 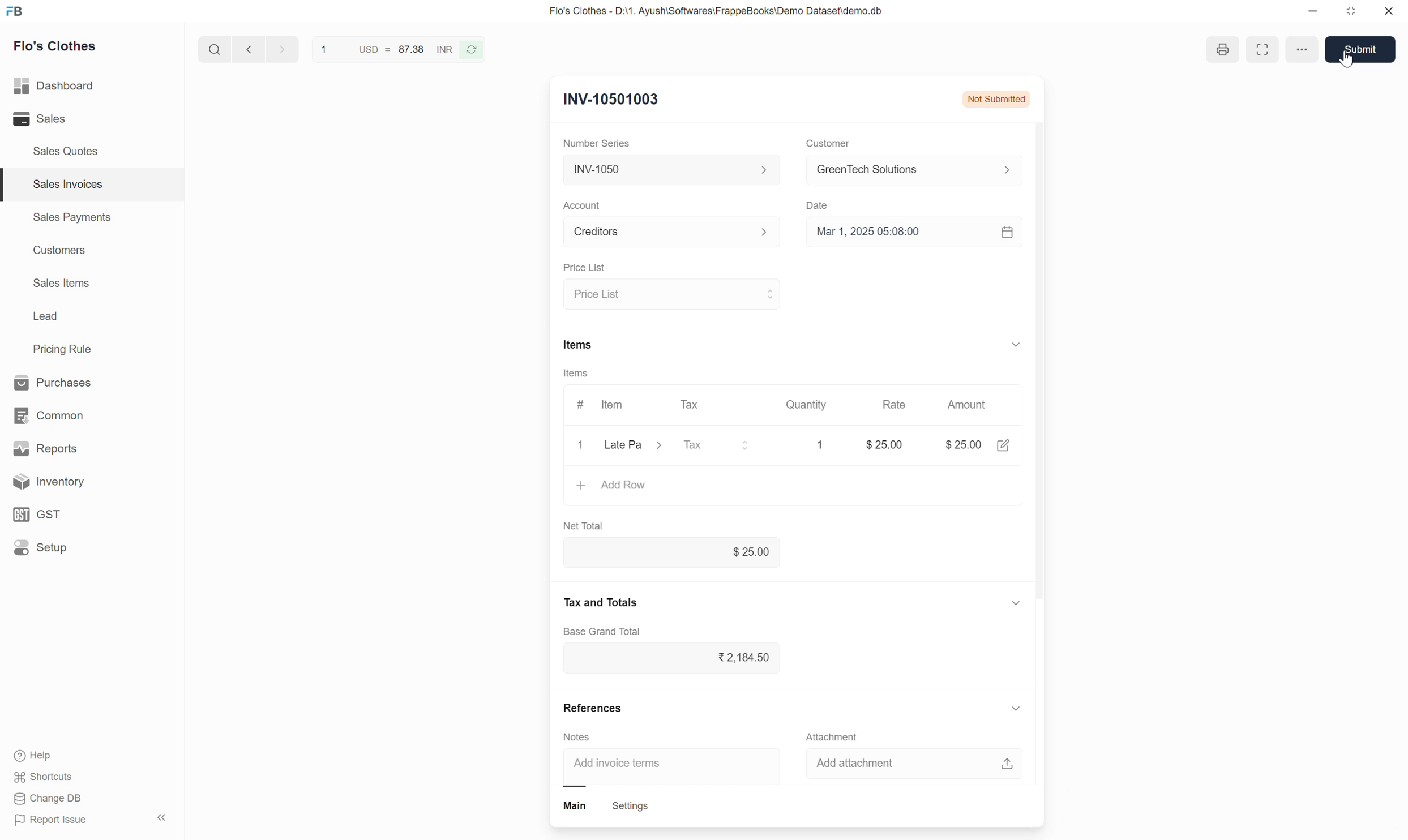 I want to click on base grand total, so click(x=606, y=631).